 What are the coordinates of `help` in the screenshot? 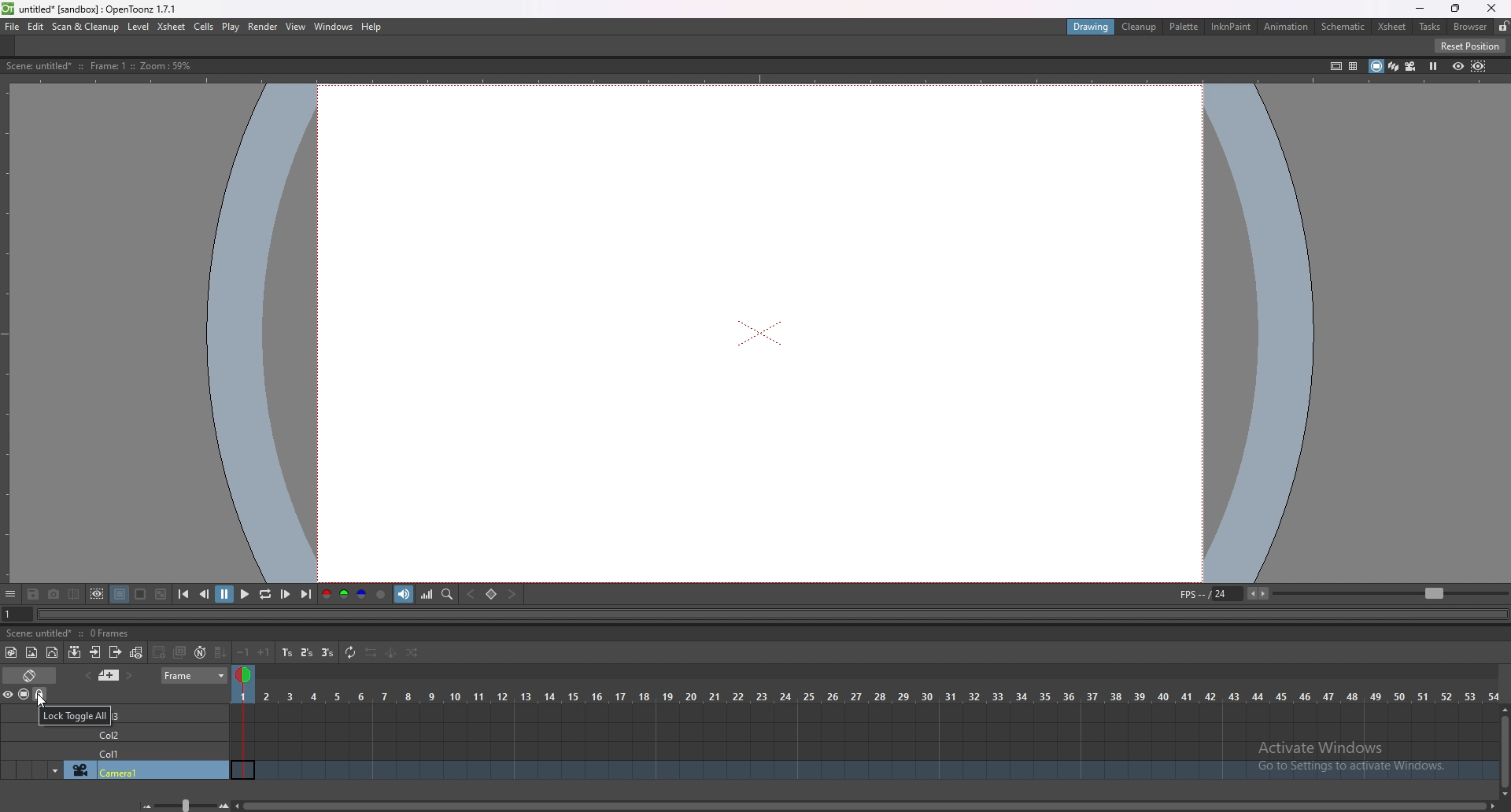 It's located at (374, 27).